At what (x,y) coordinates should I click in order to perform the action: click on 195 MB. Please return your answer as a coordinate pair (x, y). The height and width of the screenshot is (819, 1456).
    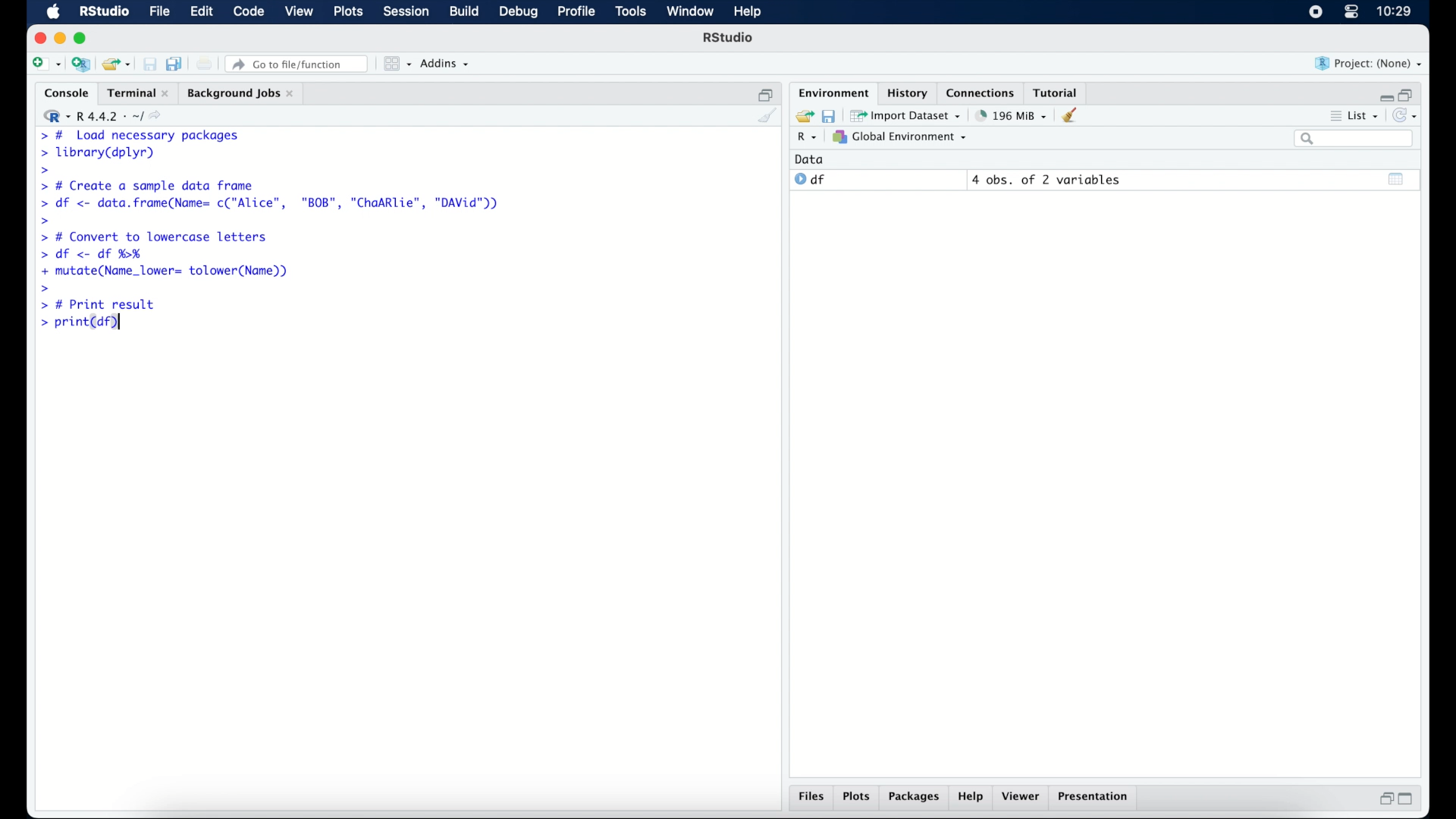
    Looking at the image, I should click on (1010, 115).